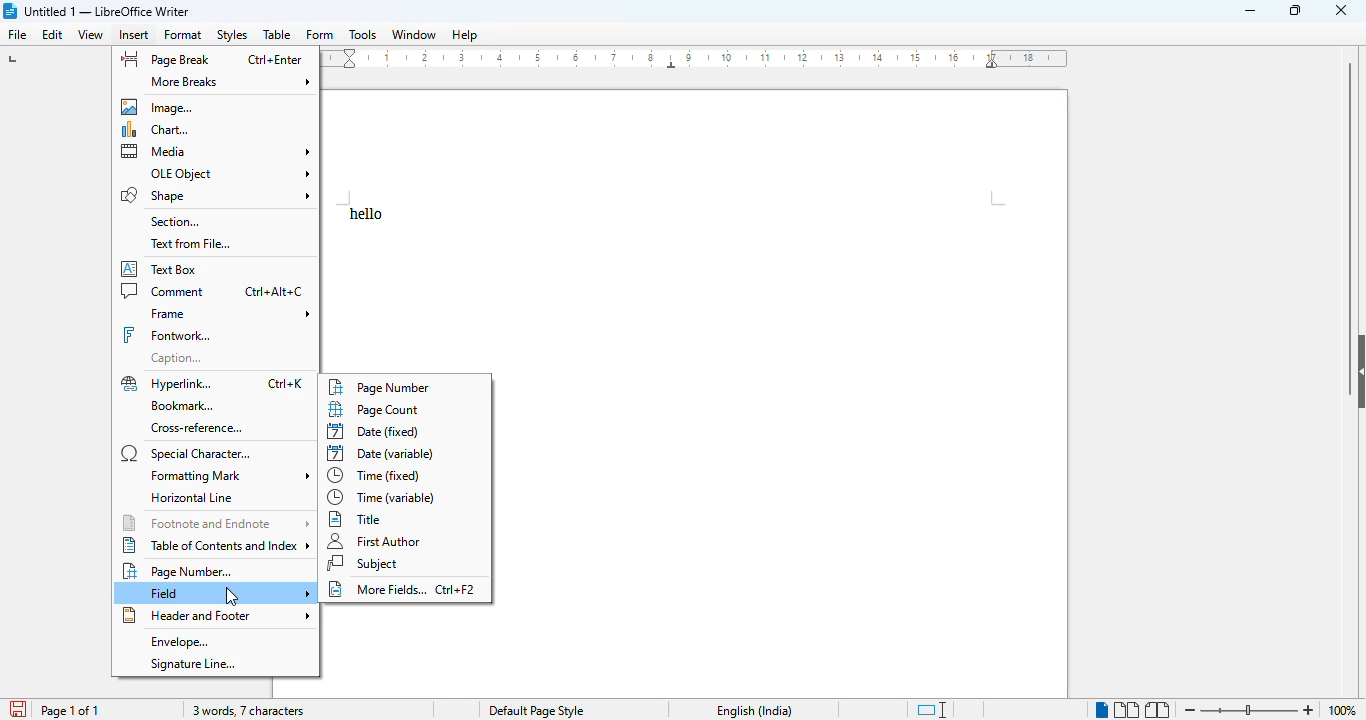 The width and height of the screenshot is (1366, 720). What do you see at coordinates (377, 475) in the screenshot?
I see `time (fixed)` at bounding box center [377, 475].